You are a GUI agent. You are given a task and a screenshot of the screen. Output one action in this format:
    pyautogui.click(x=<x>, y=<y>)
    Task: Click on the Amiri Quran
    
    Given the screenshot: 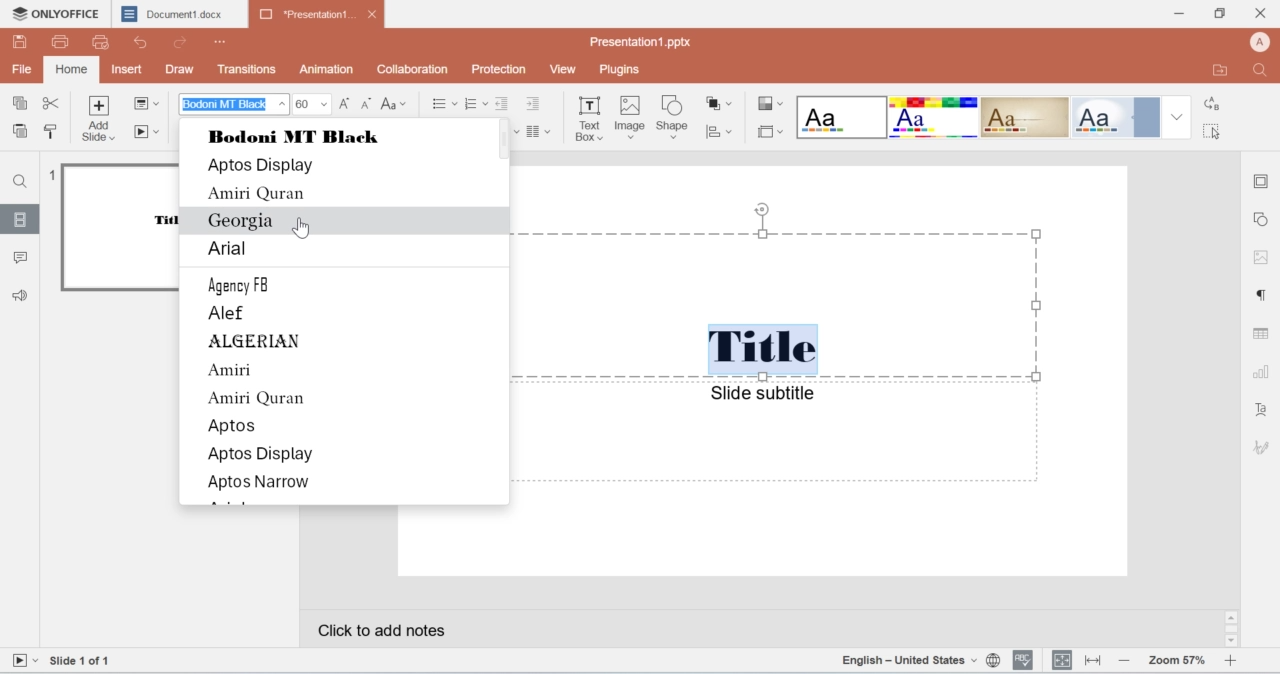 What is the action you would take?
    pyautogui.click(x=255, y=398)
    